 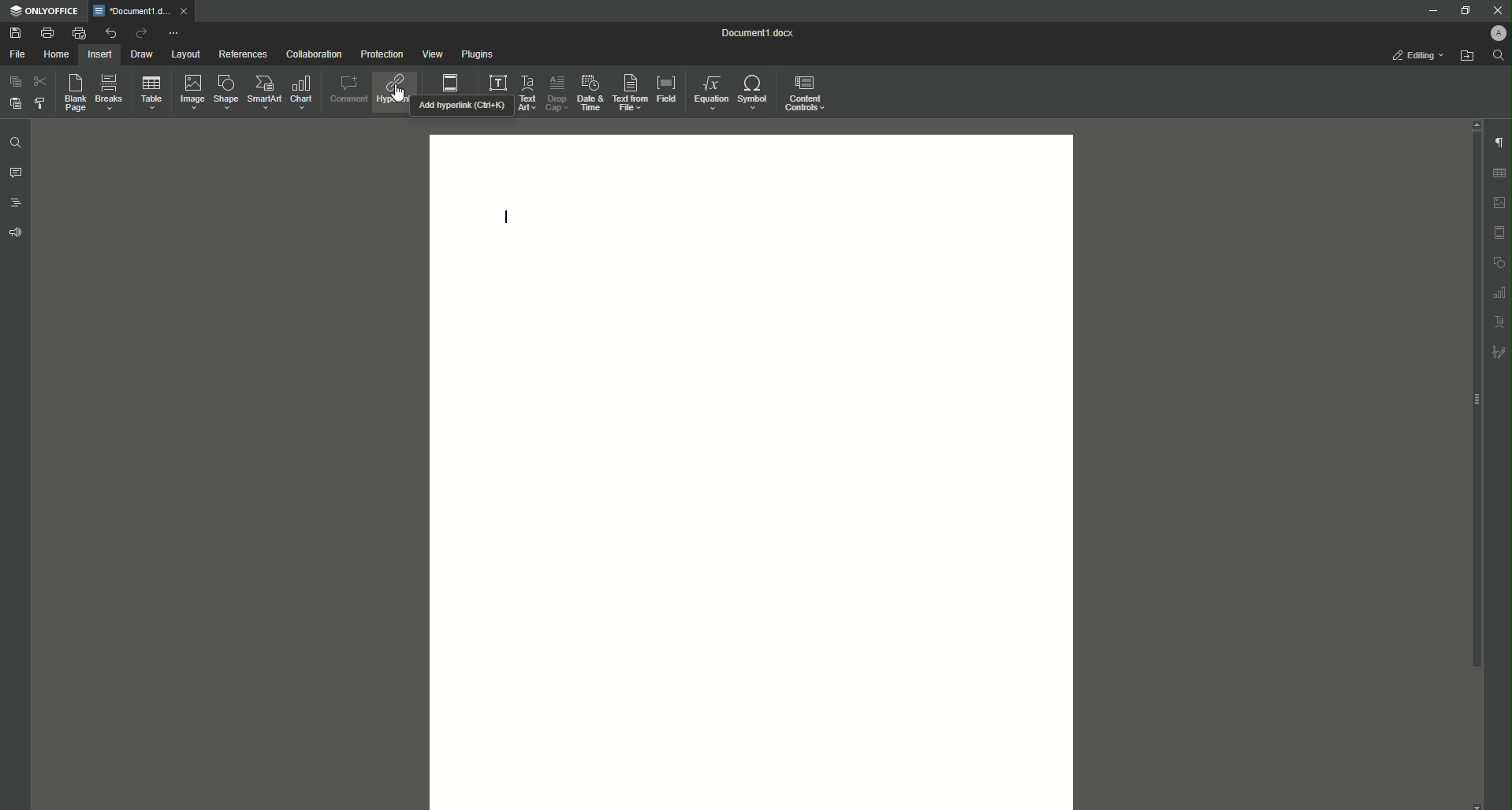 I want to click on Quick Print, so click(x=79, y=32).